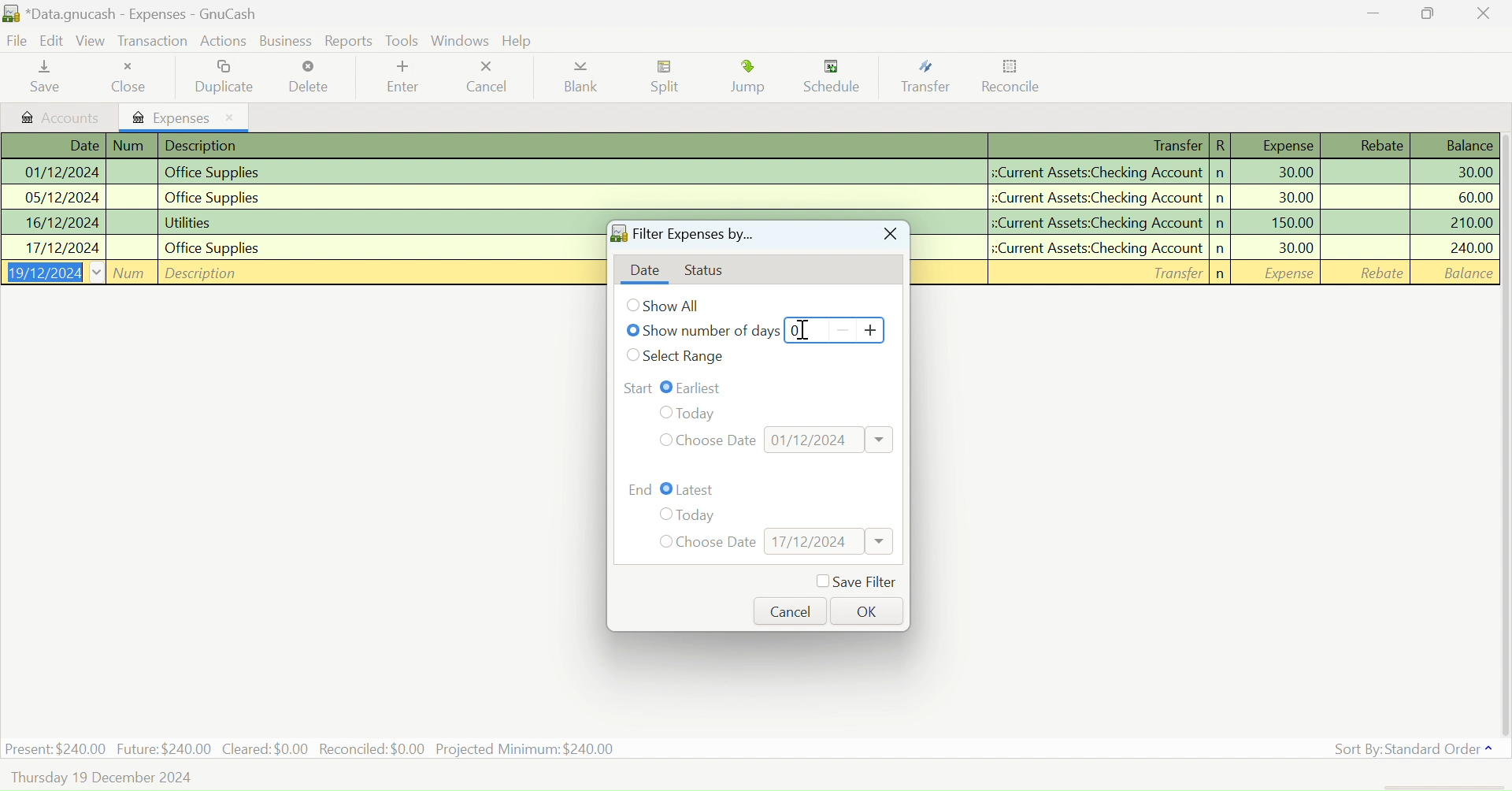 The image size is (1512, 791). Describe the element at coordinates (748, 197) in the screenshot. I see `Office Supplies Transaction` at that location.